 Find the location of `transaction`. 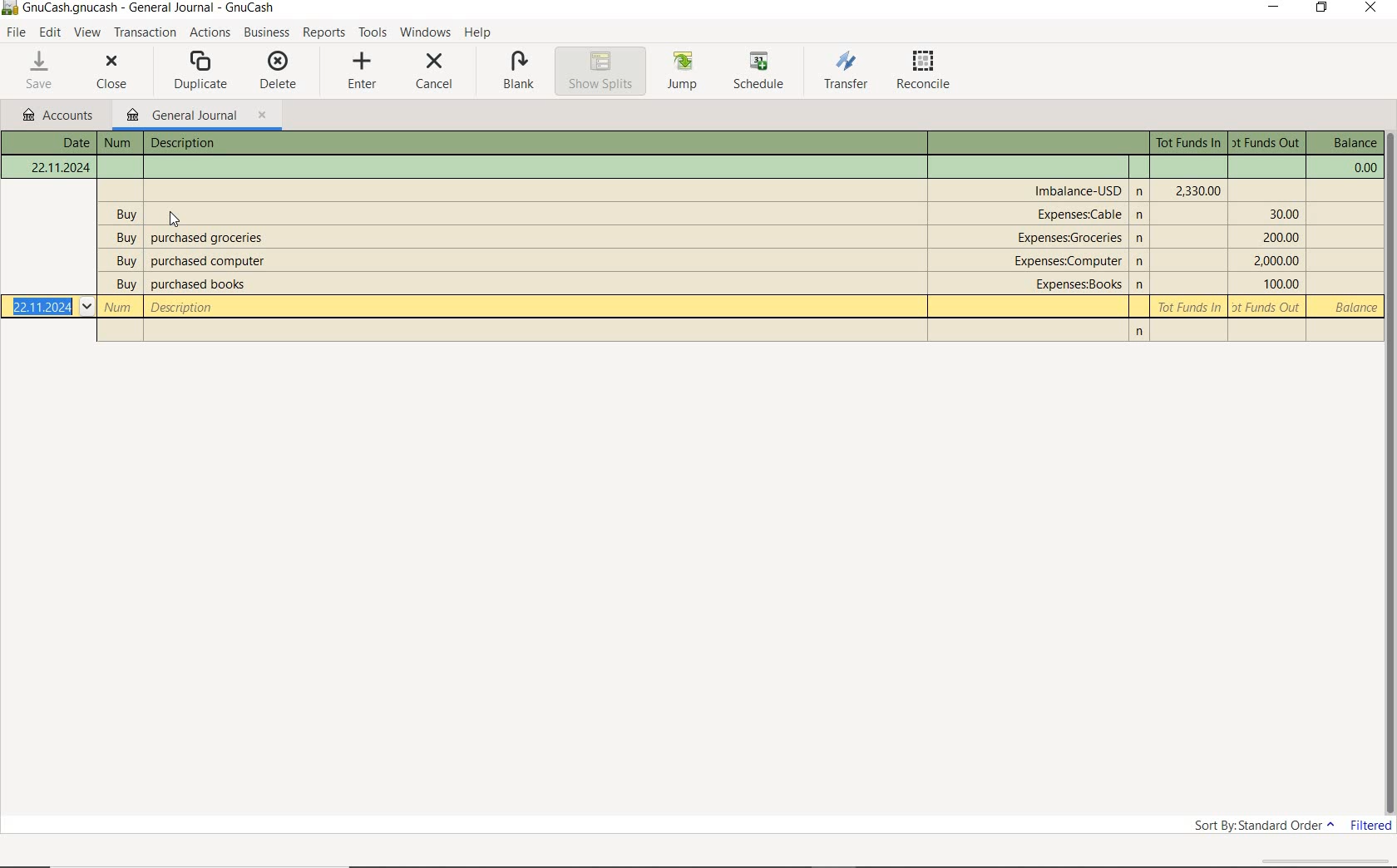

transaction is located at coordinates (145, 32).